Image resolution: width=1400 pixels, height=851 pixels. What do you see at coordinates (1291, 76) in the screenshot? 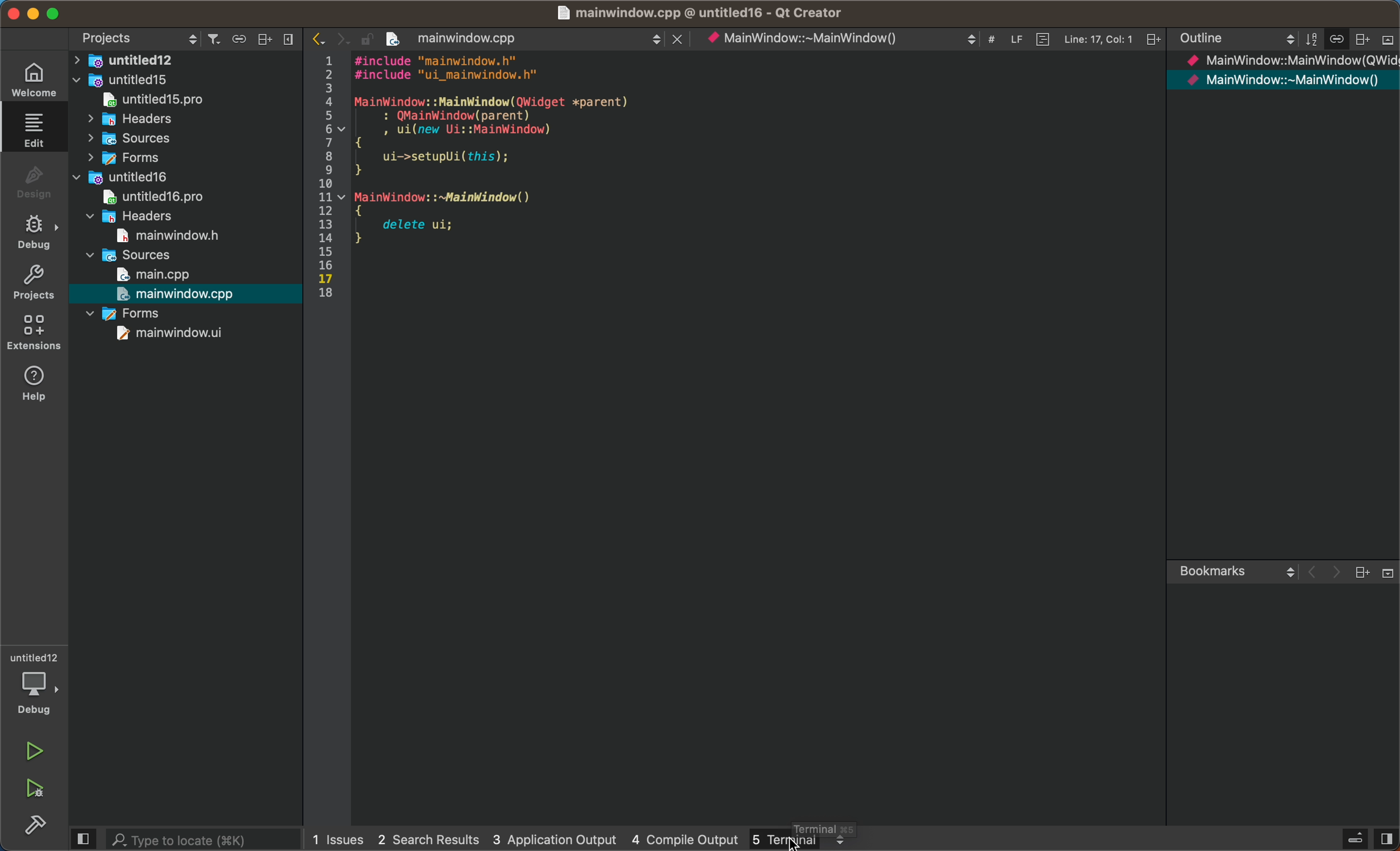
I see `files` at bounding box center [1291, 76].